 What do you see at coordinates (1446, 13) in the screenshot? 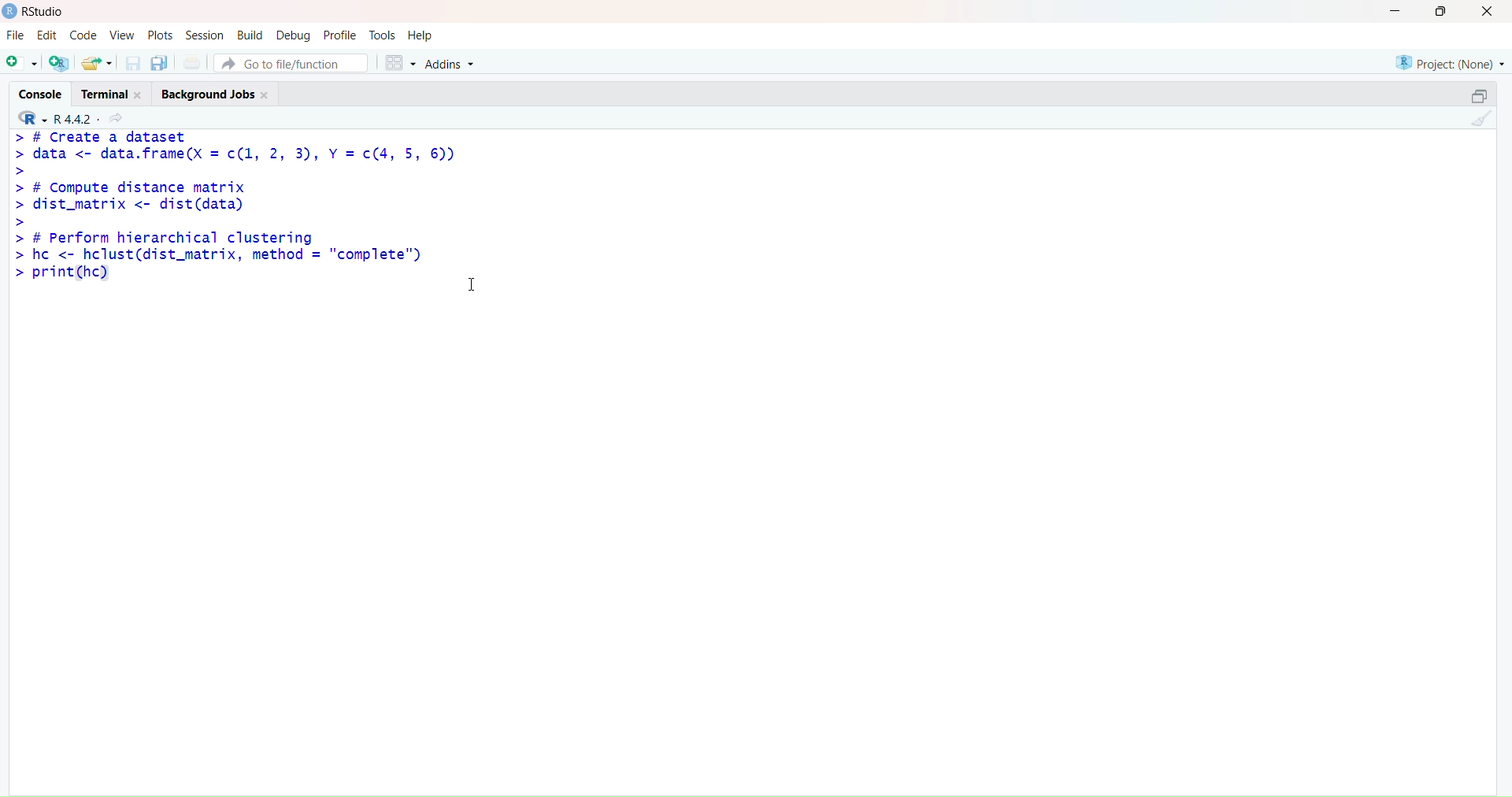
I see `Maximize/Restore` at bounding box center [1446, 13].